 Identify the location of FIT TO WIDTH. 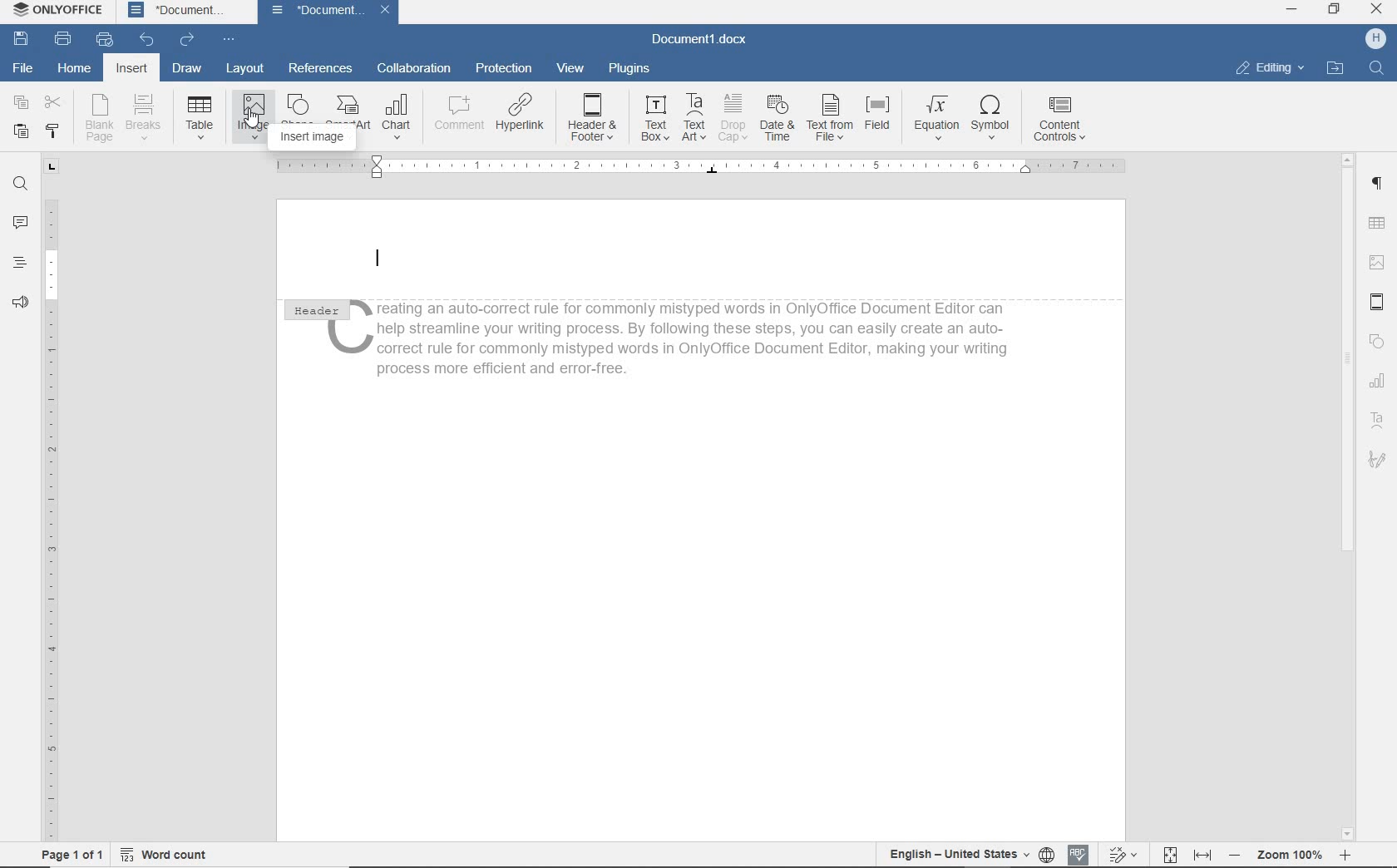
(1202, 855).